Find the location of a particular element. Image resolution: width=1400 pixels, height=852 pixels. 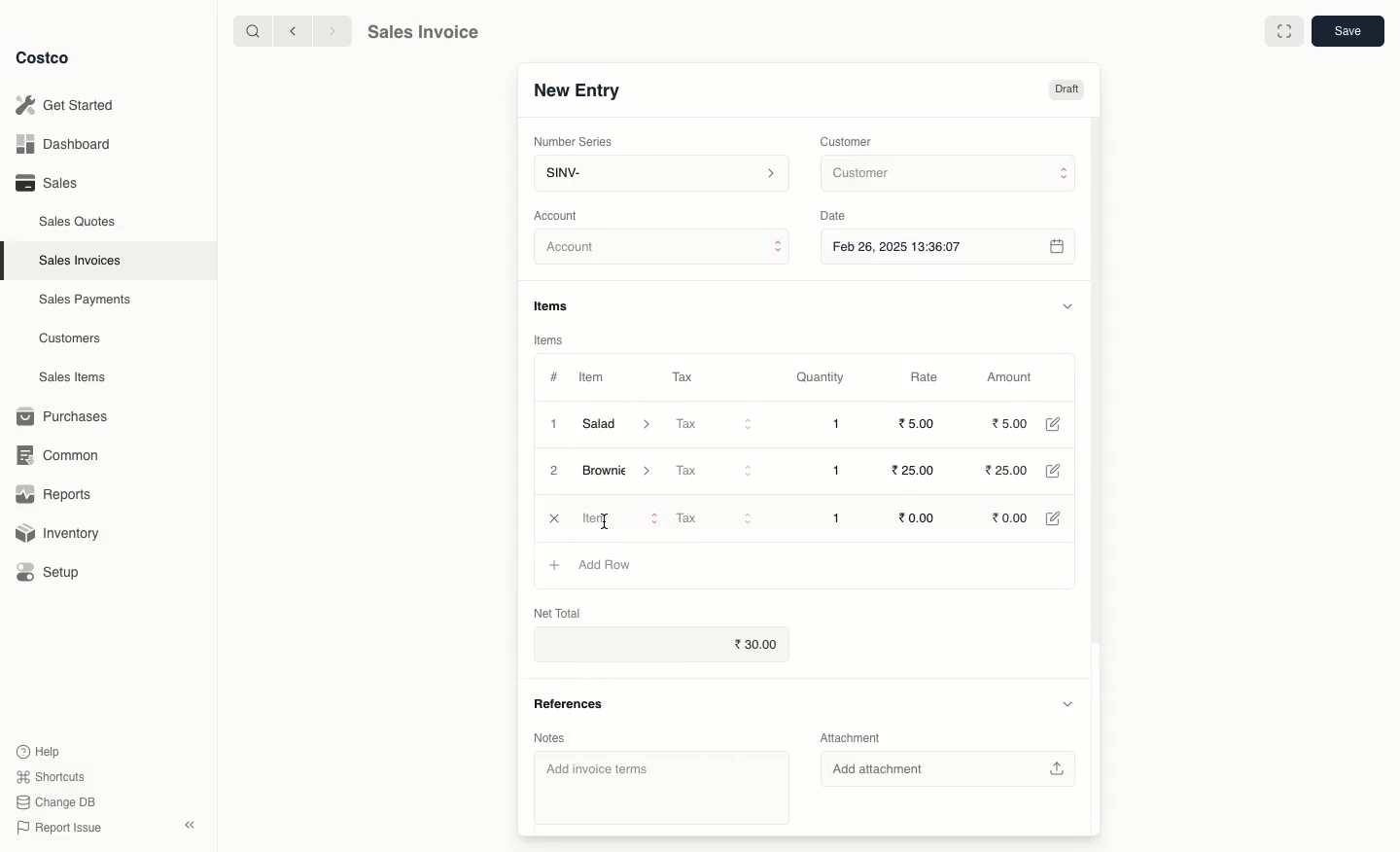

5.00 is located at coordinates (1010, 423).